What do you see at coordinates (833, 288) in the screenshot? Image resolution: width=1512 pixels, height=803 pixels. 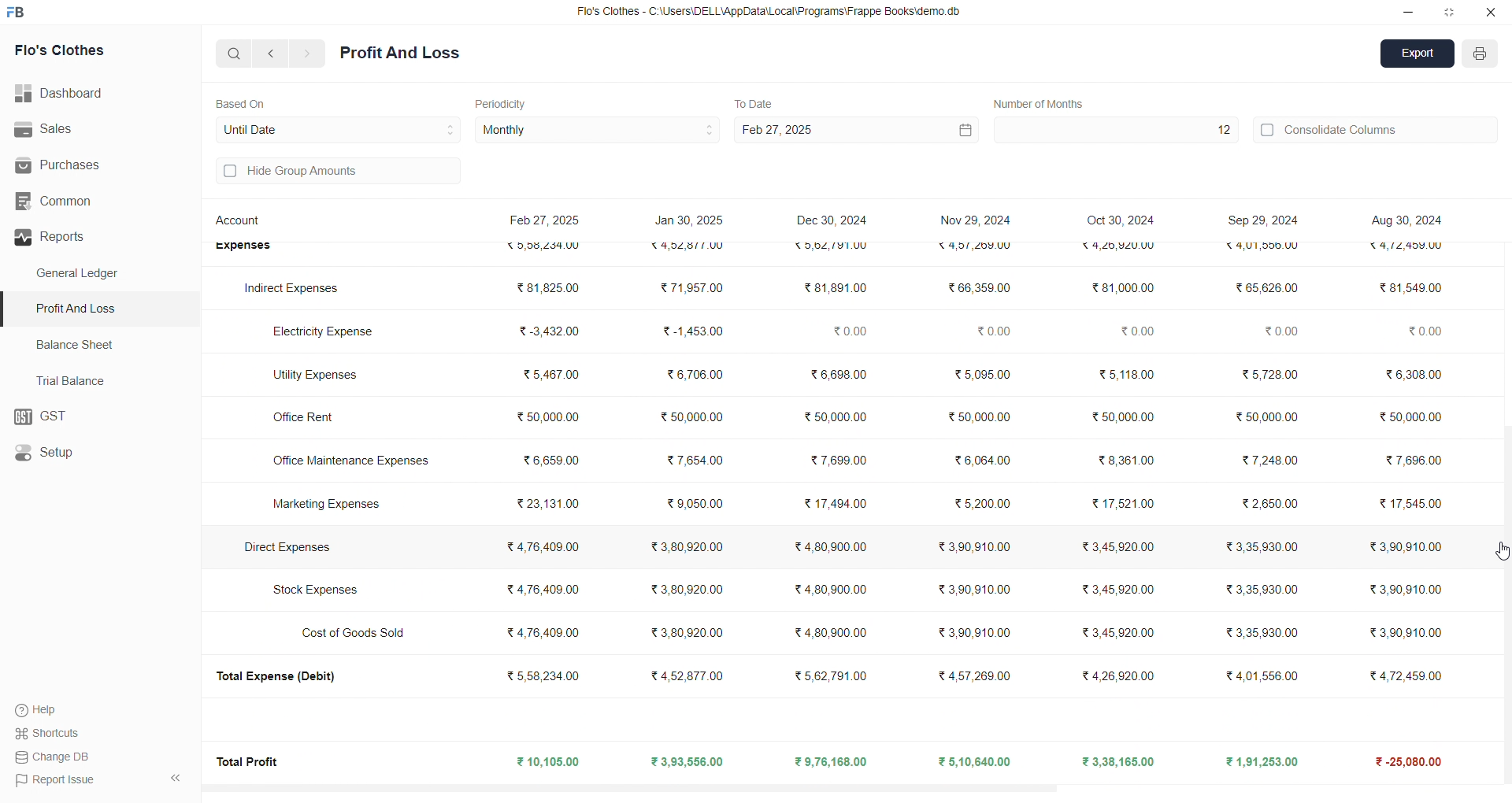 I see `₹81,891.00` at bounding box center [833, 288].